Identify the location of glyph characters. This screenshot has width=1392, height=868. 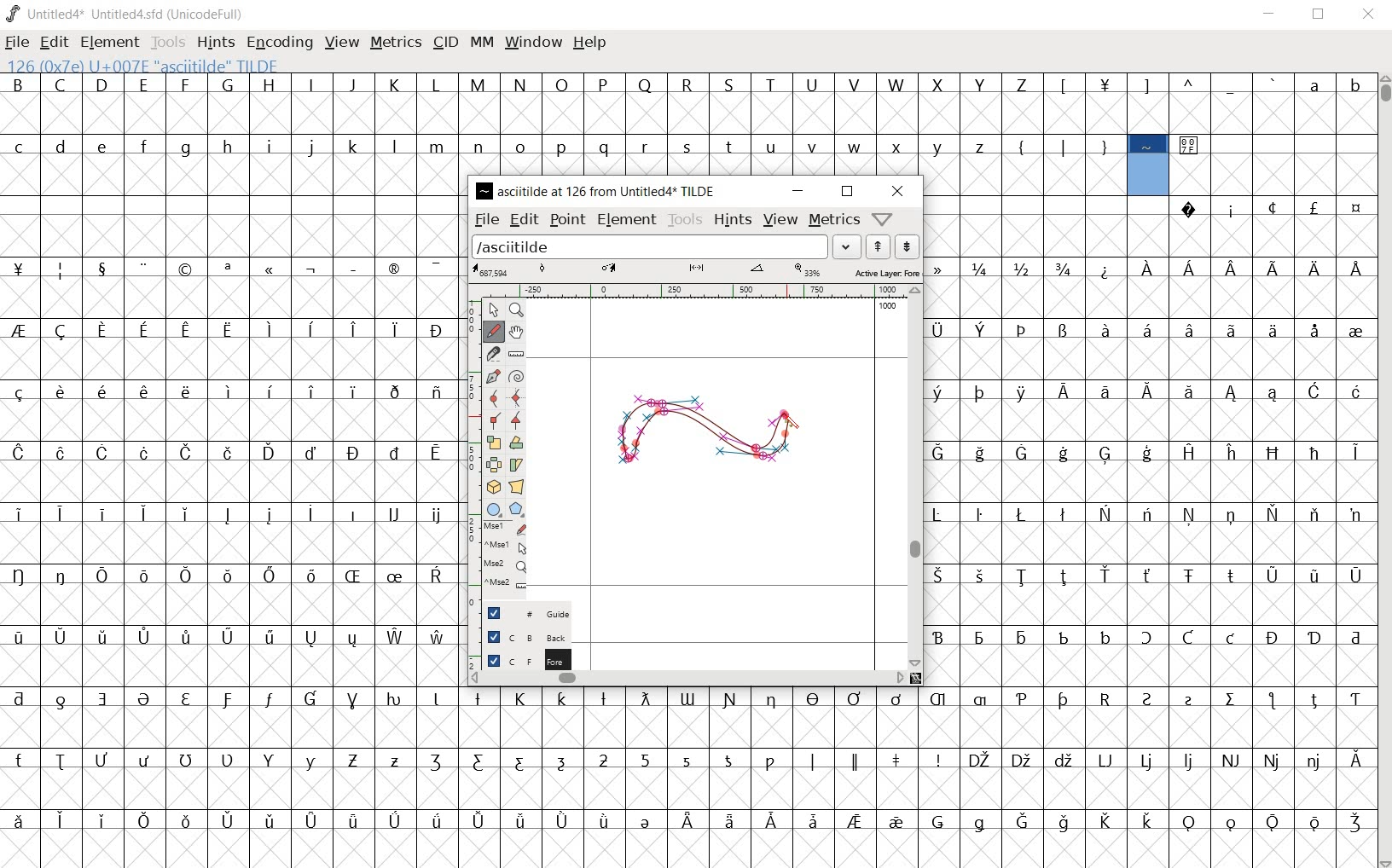
(1150, 443).